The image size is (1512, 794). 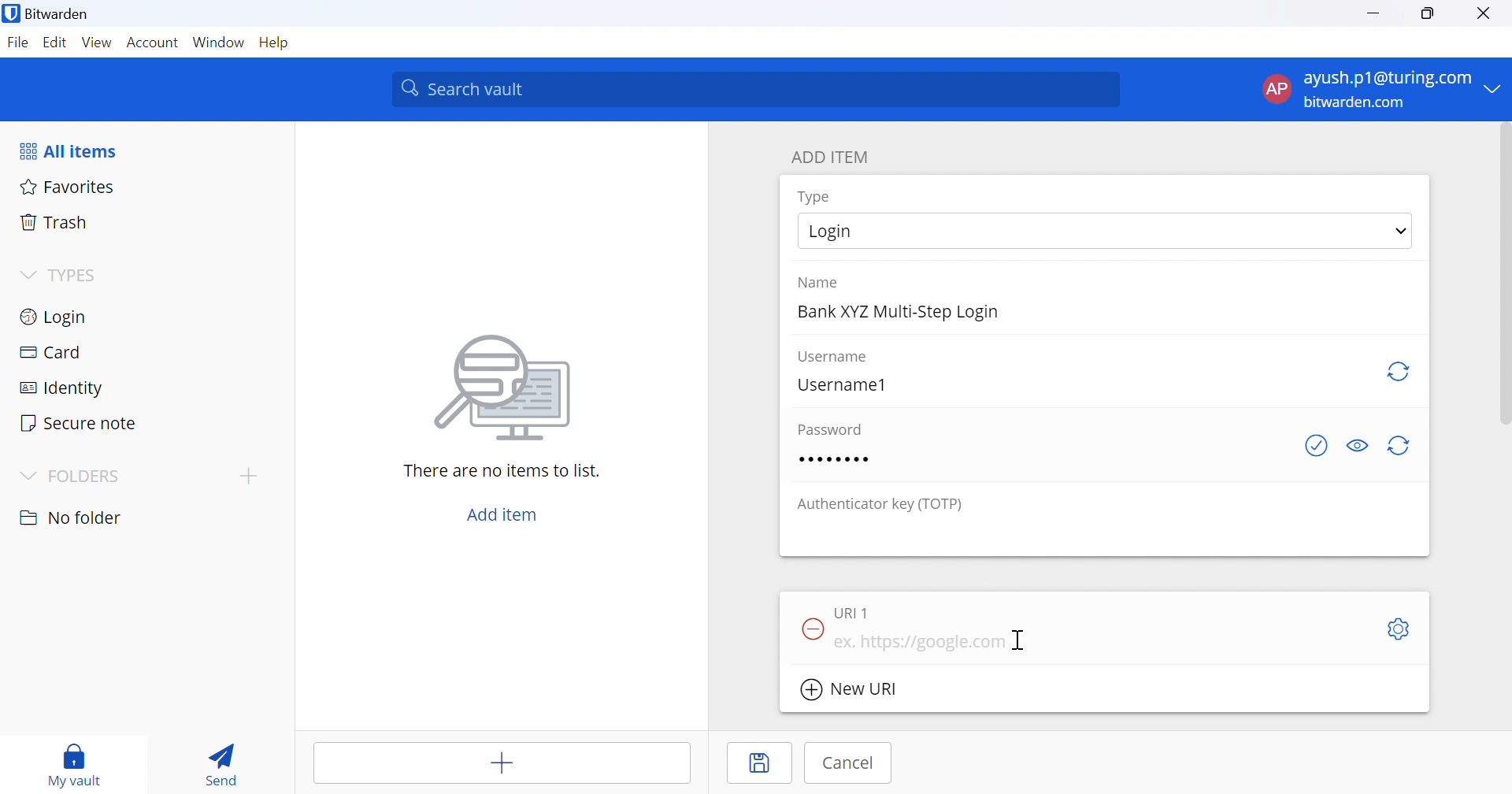 I want to click on Remove, so click(x=810, y=627).